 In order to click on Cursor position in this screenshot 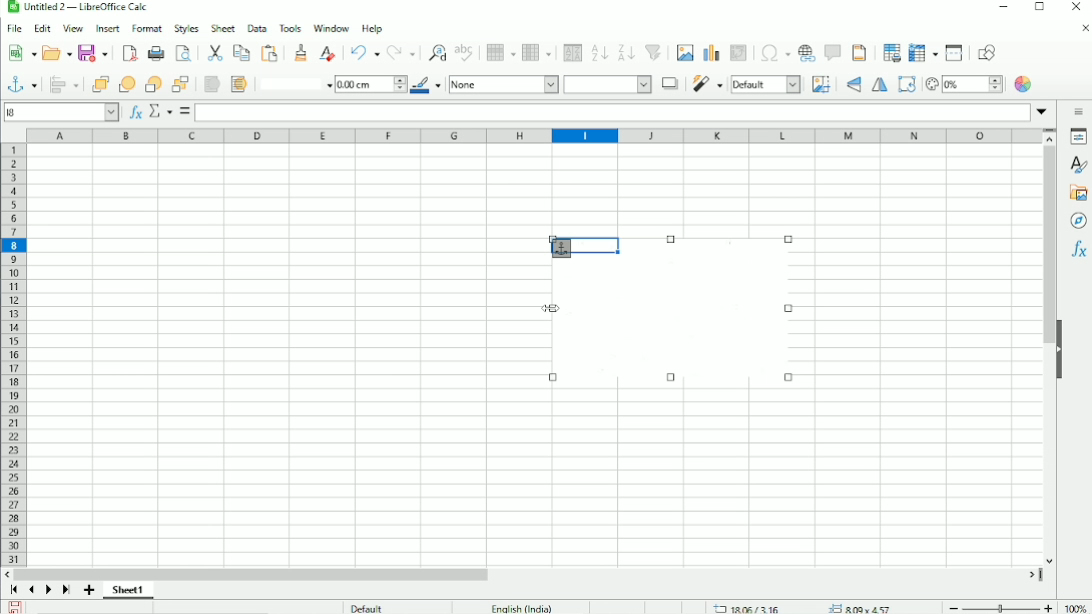, I will do `click(806, 607)`.